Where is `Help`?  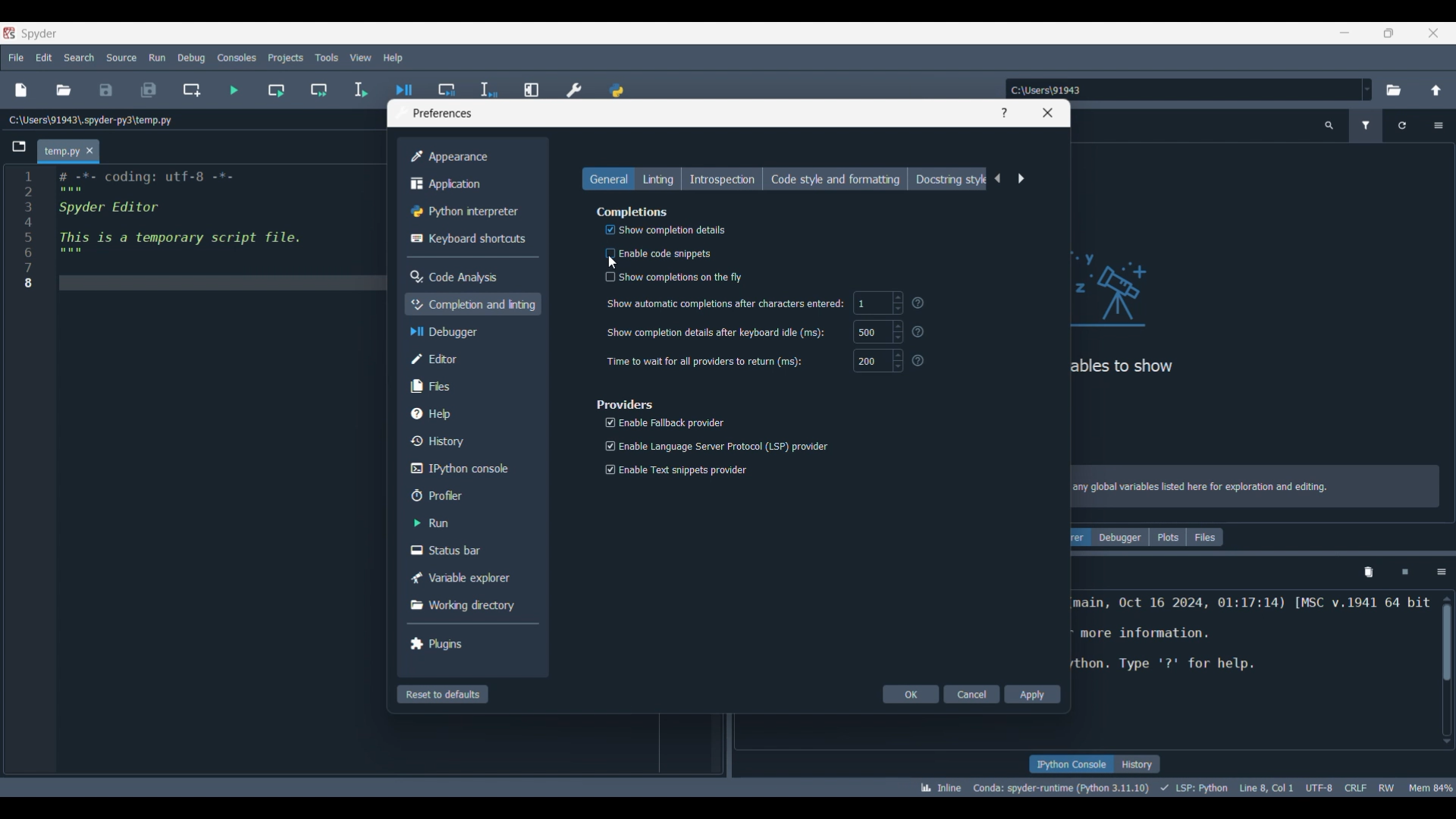
Help is located at coordinates (470, 413).